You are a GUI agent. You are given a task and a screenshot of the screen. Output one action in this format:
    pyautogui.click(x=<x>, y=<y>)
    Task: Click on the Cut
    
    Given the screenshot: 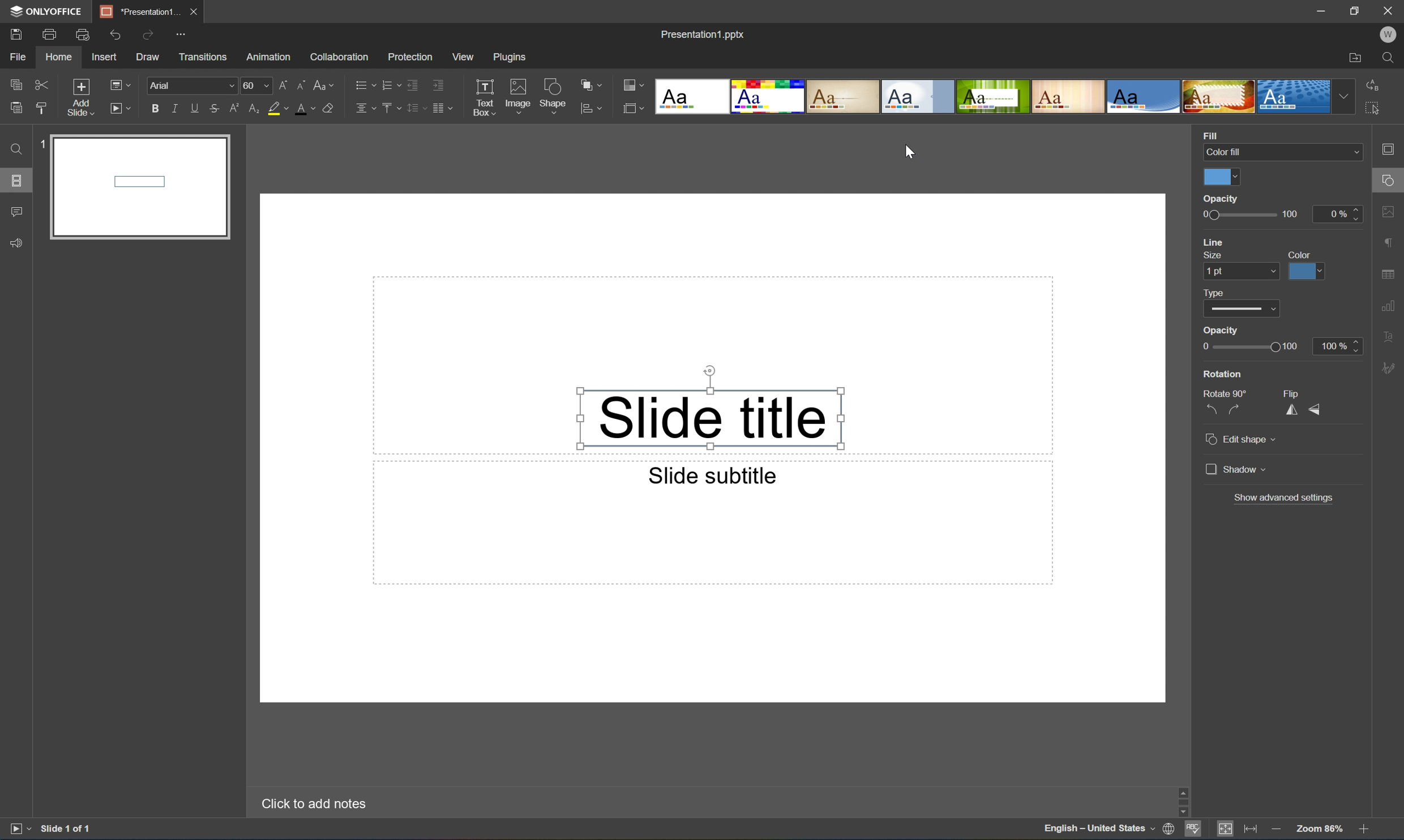 What is the action you would take?
    pyautogui.click(x=40, y=83)
    